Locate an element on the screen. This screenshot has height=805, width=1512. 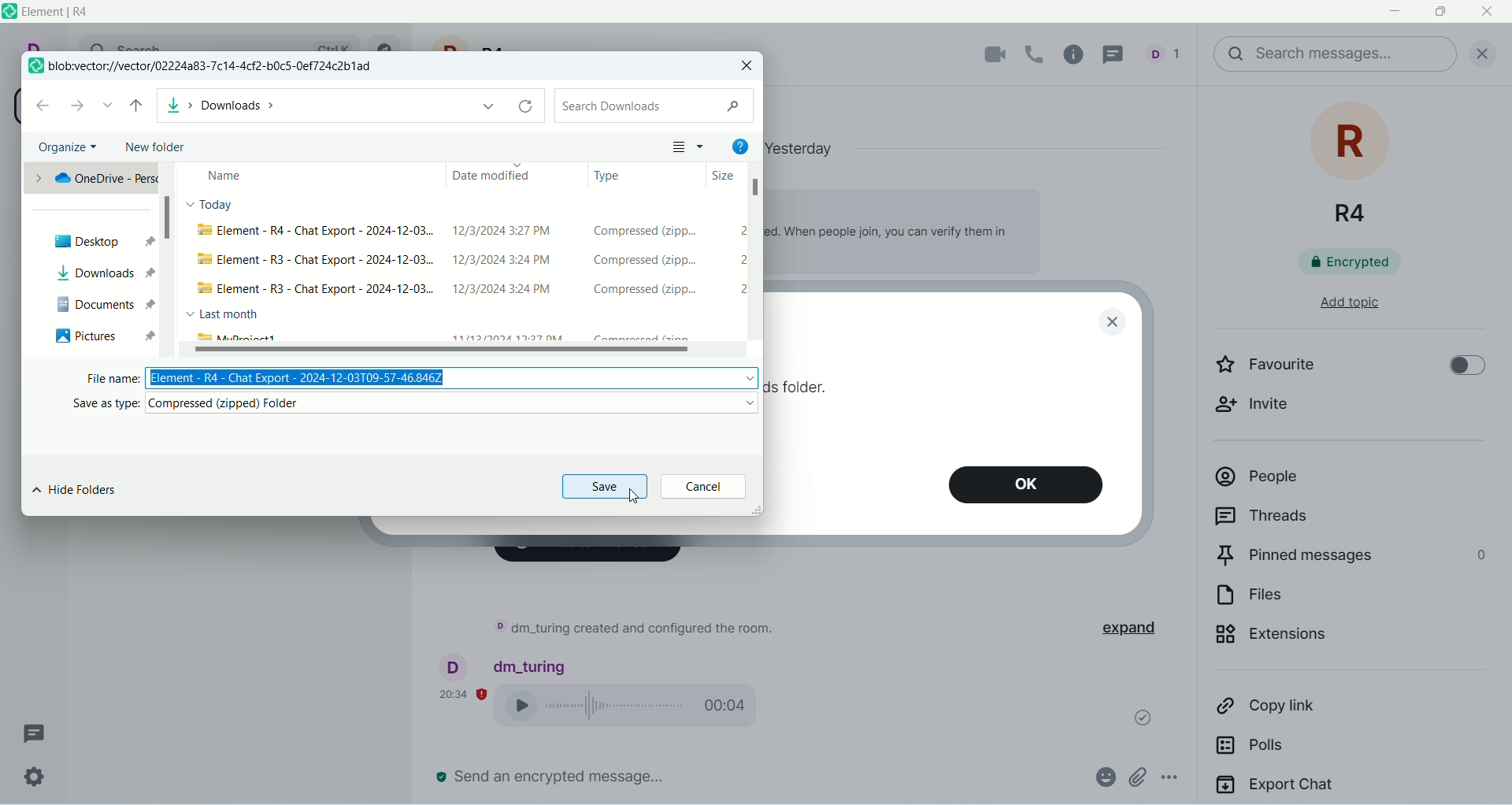
cursor is located at coordinates (632, 503).